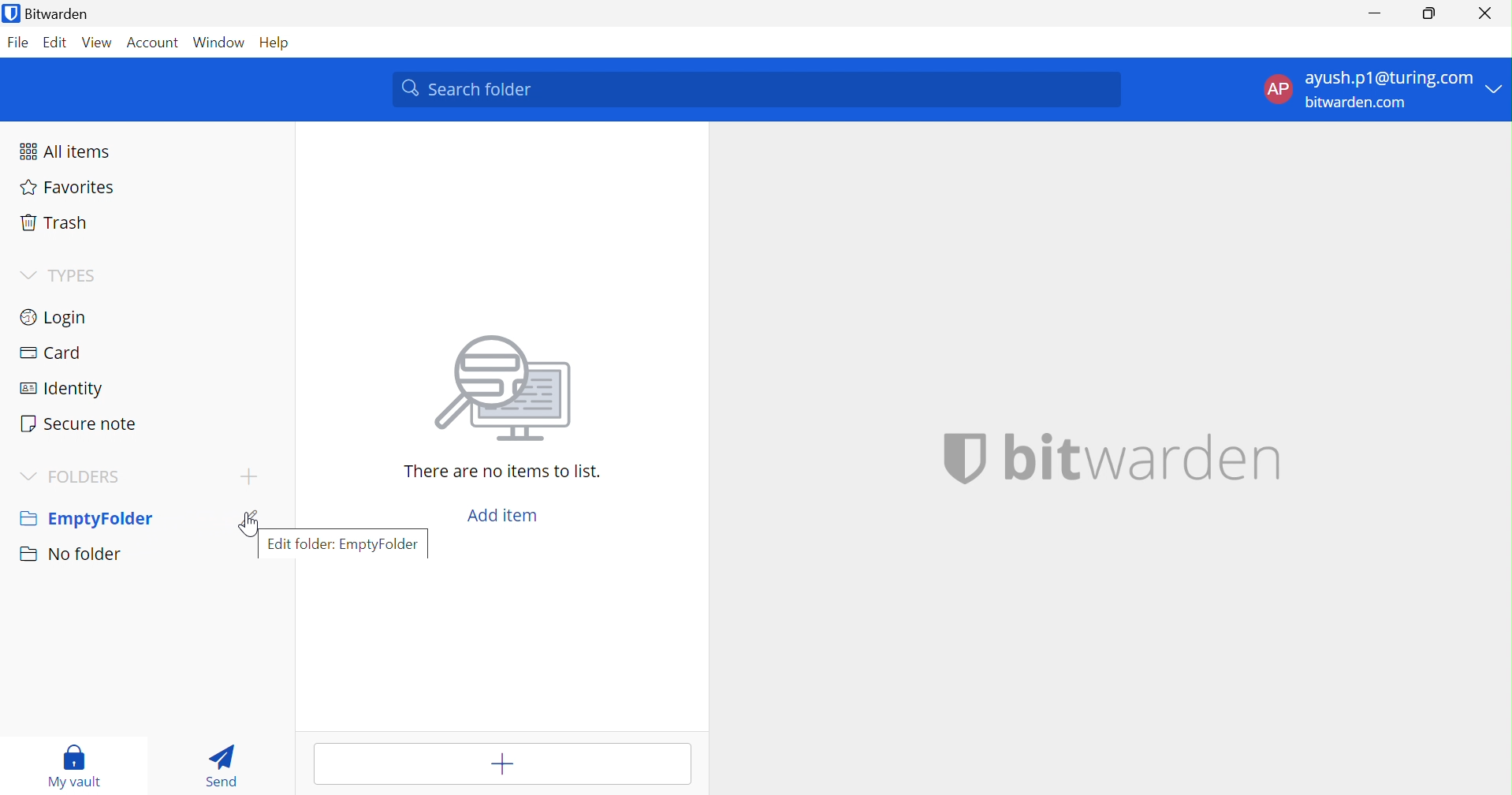  Describe the element at coordinates (1430, 11) in the screenshot. I see `Restore Down` at that location.